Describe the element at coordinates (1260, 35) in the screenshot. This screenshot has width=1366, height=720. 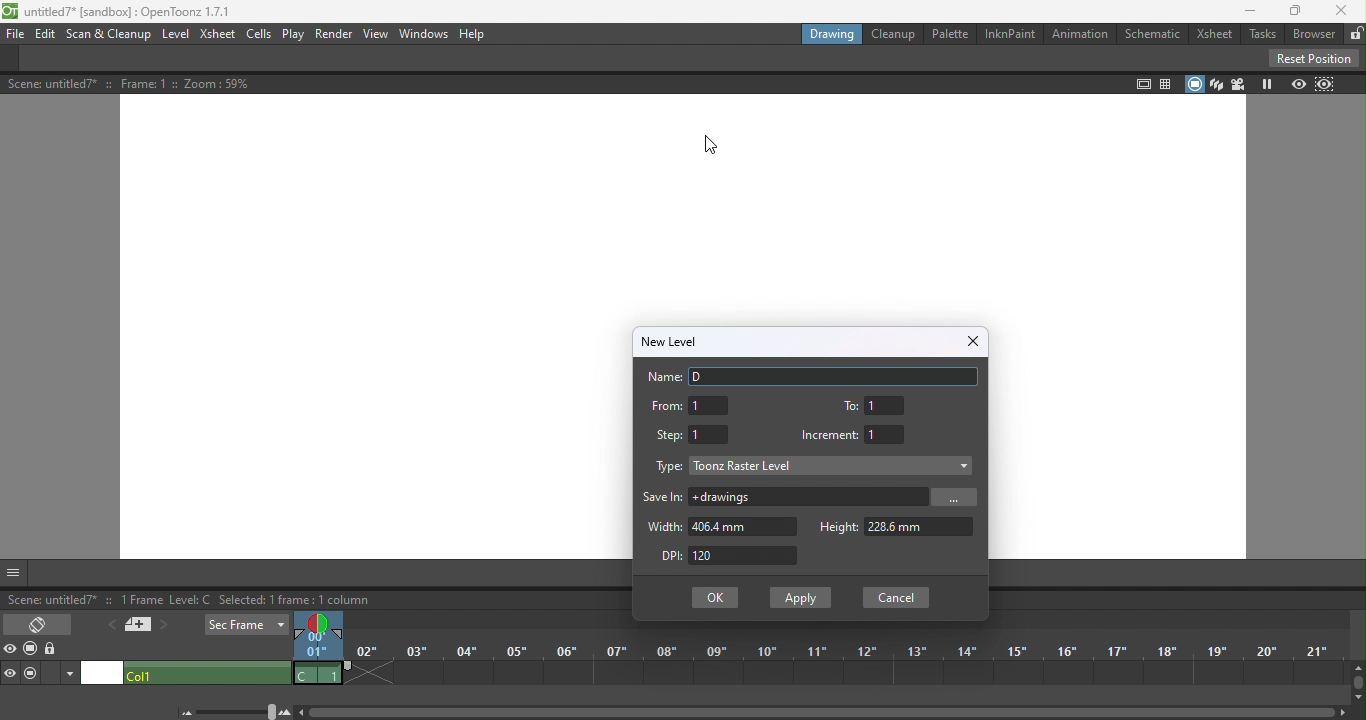
I see `Tasks` at that location.